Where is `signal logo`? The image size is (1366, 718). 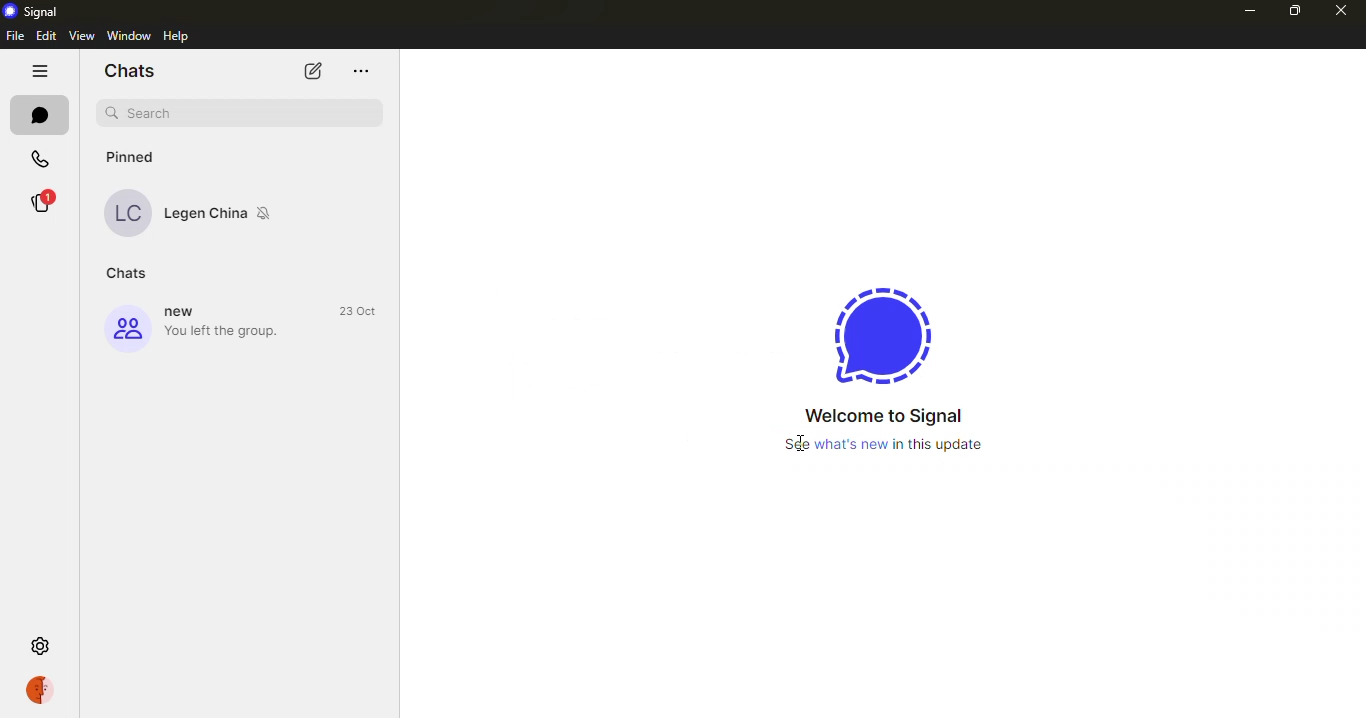 signal logo is located at coordinates (871, 333).